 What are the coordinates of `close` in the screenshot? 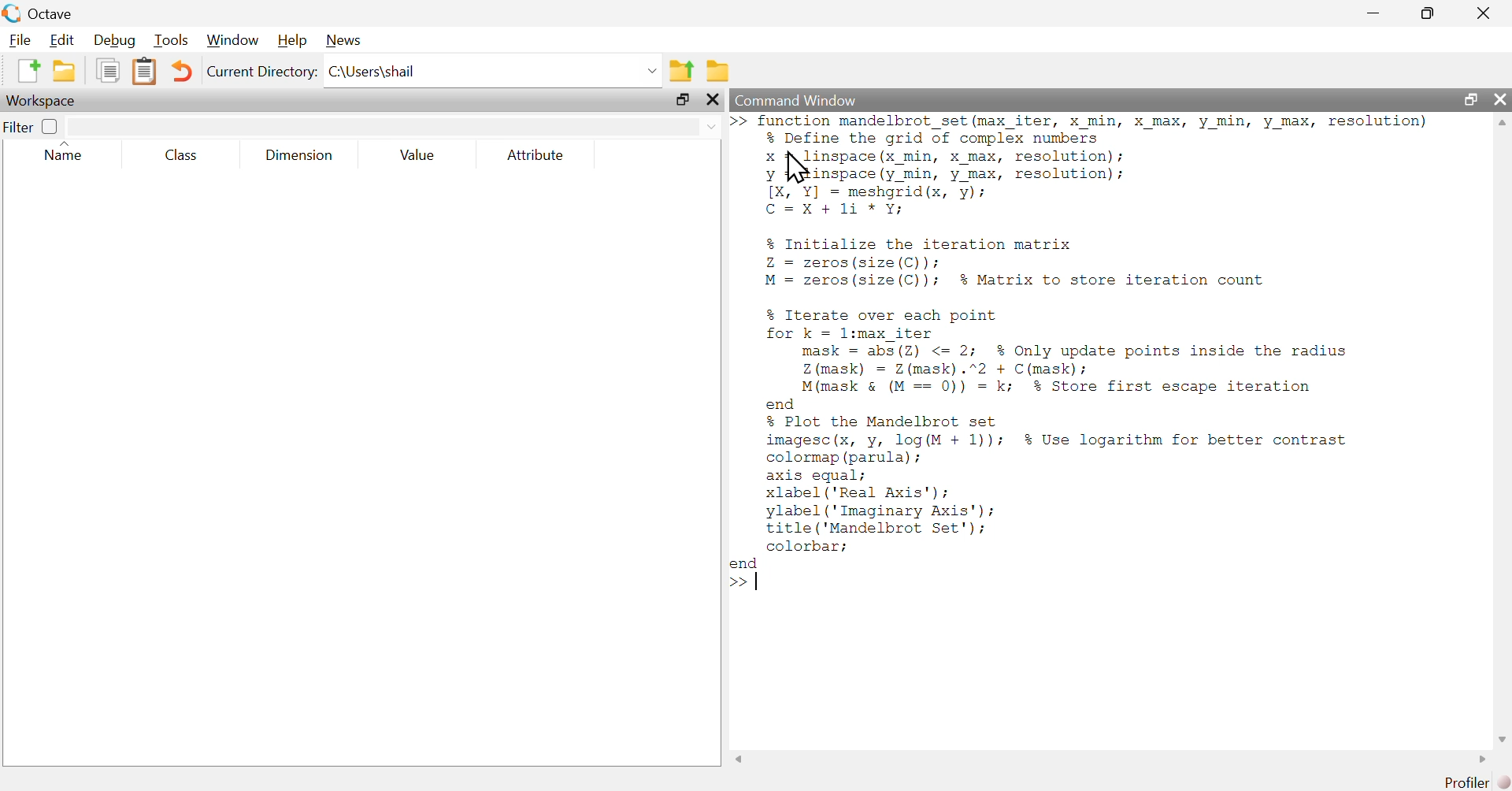 It's located at (1484, 11).